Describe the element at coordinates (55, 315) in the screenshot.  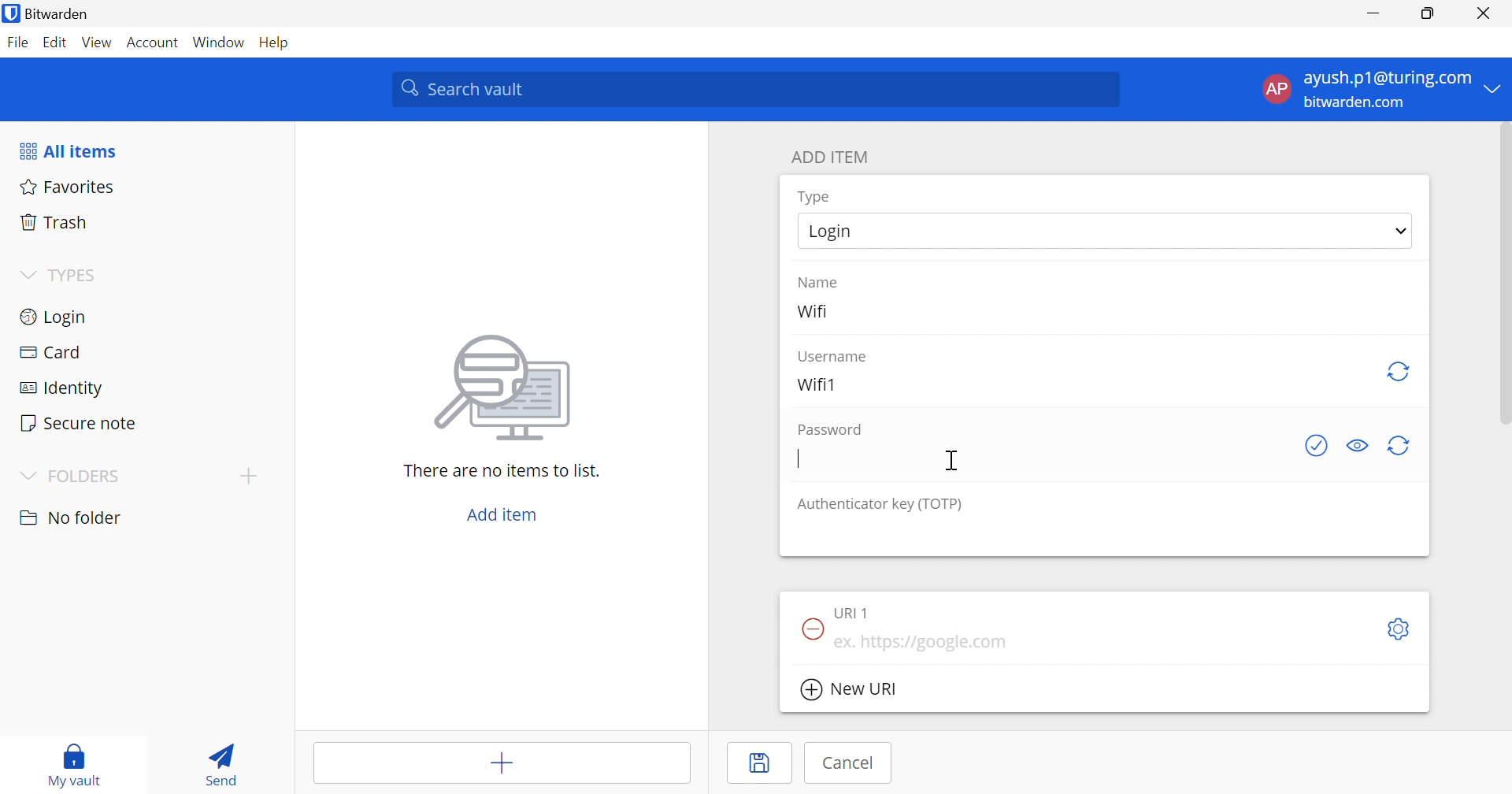
I see `Login` at that location.